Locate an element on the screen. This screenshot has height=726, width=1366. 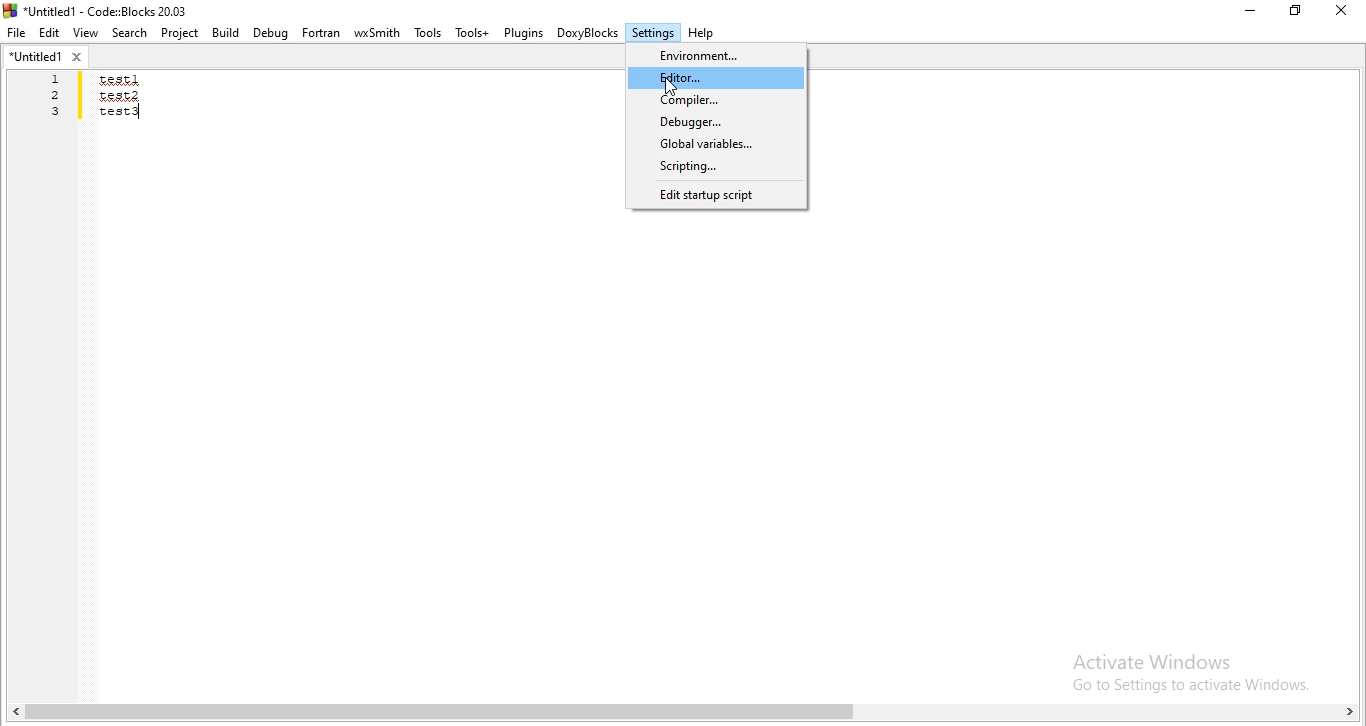
Debug  is located at coordinates (272, 32).